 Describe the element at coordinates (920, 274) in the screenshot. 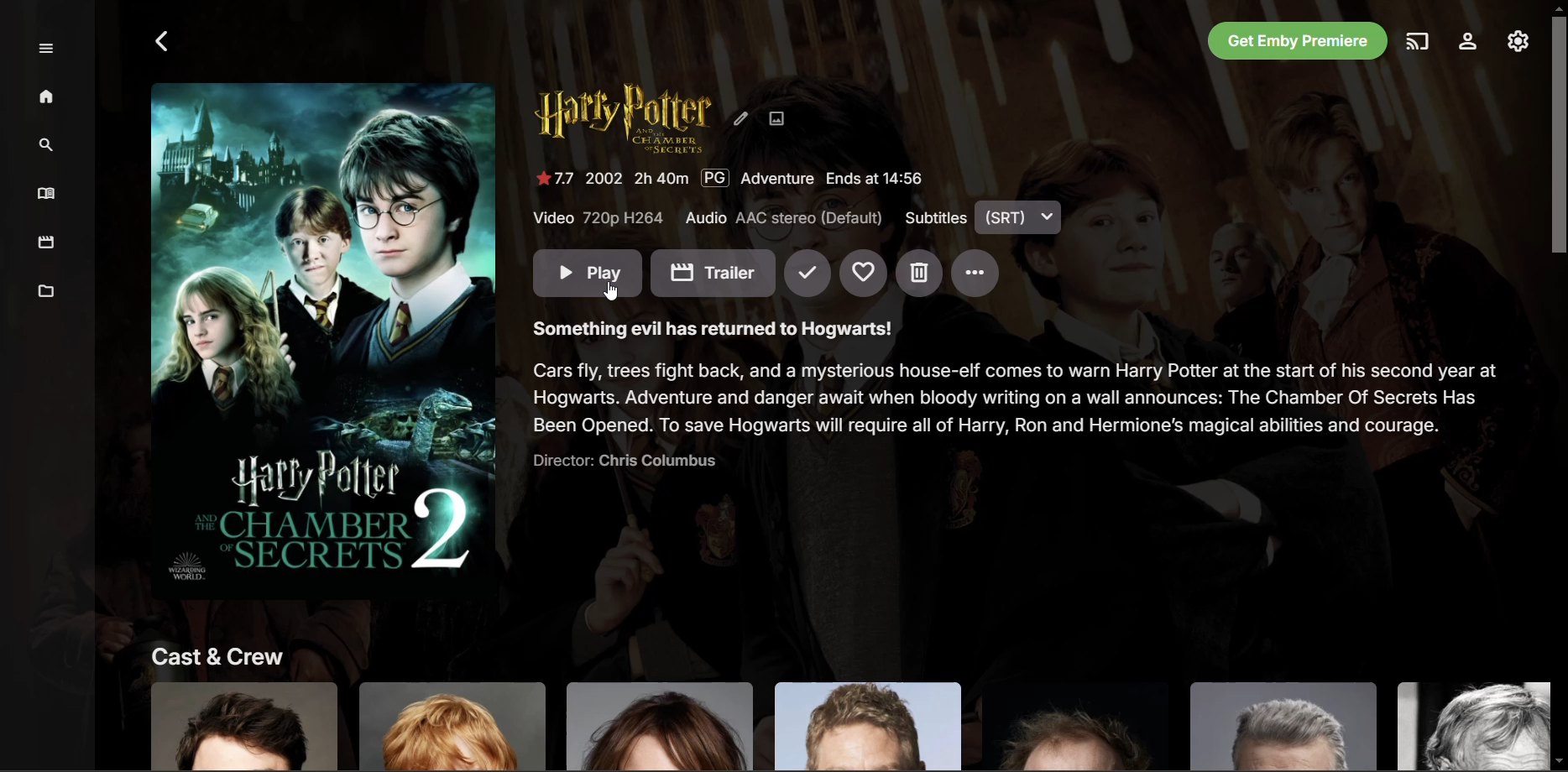

I see `Delete` at that location.